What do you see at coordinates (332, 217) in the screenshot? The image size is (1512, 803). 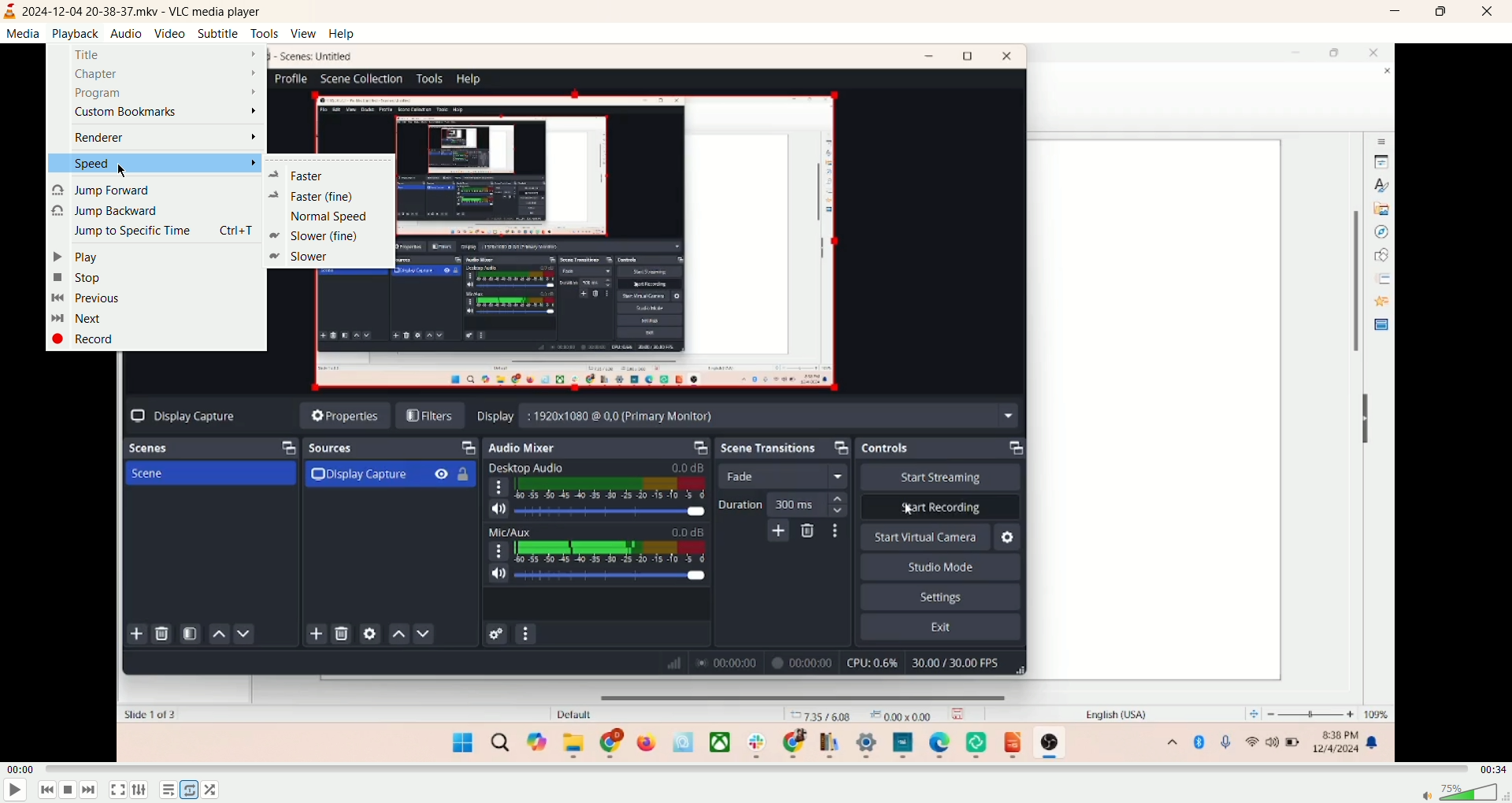 I see `normal speed` at bounding box center [332, 217].